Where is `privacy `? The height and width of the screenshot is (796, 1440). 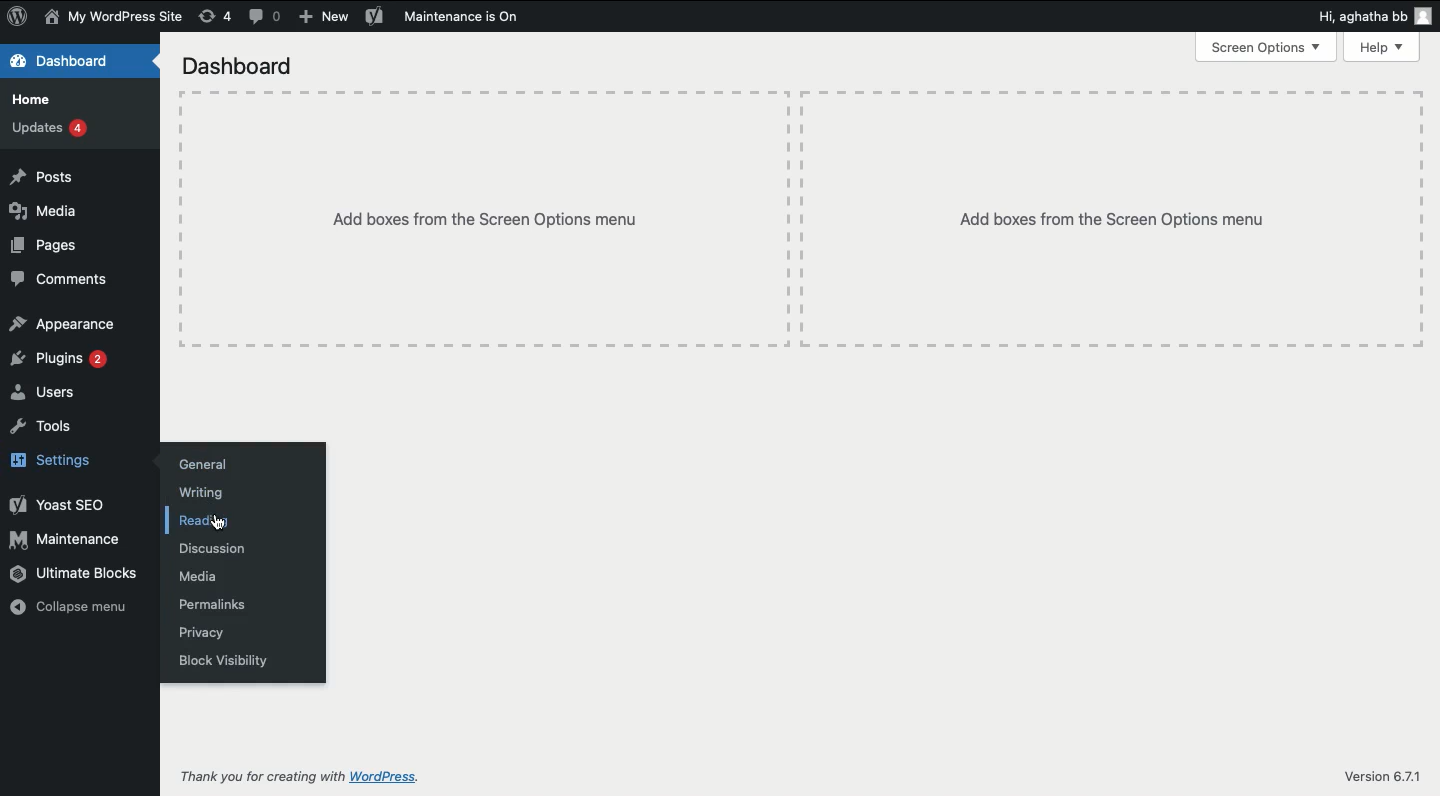 privacy  is located at coordinates (201, 634).